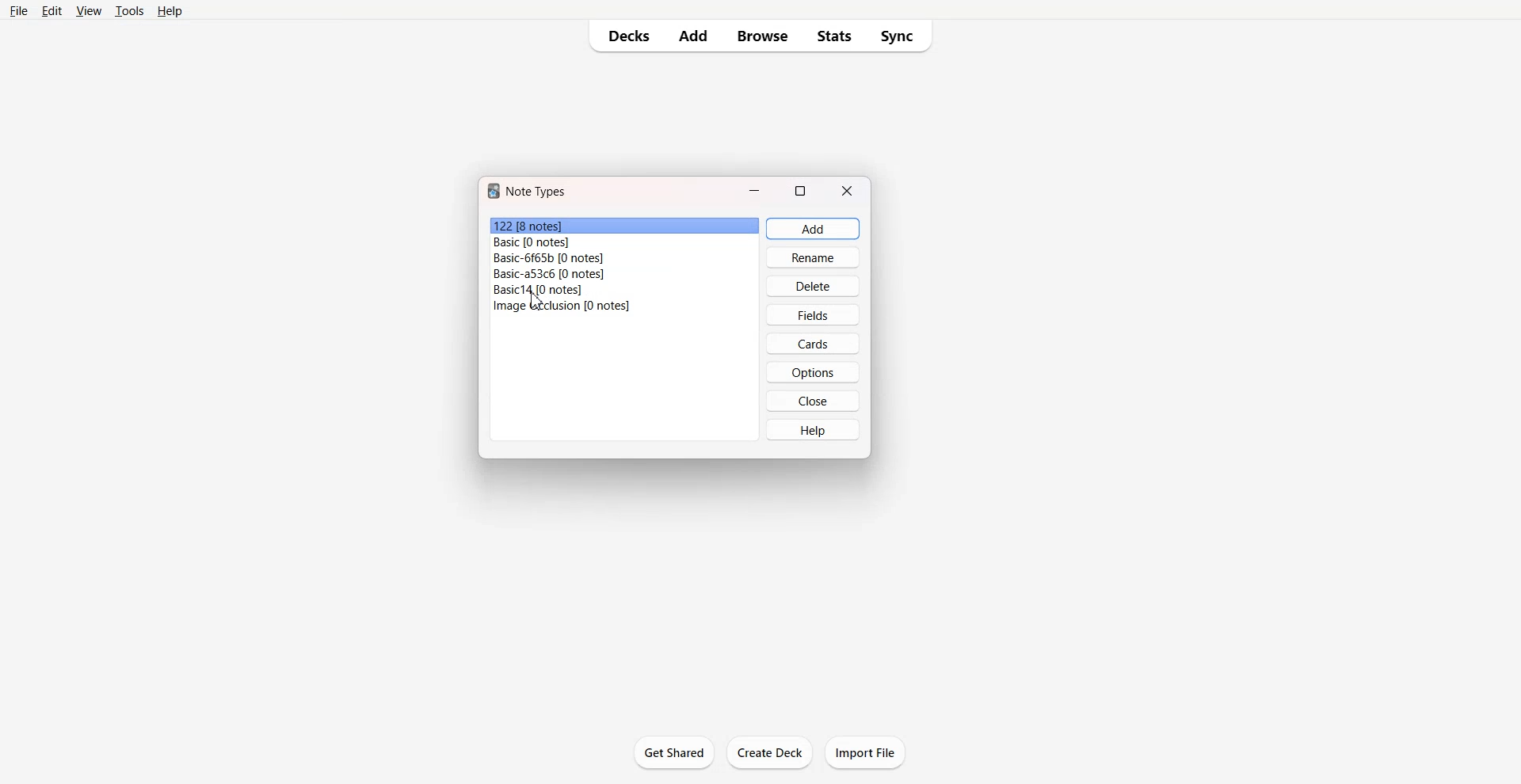 This screenshot has width=1521, height=784. I want to click on Options, so click(811, 372).